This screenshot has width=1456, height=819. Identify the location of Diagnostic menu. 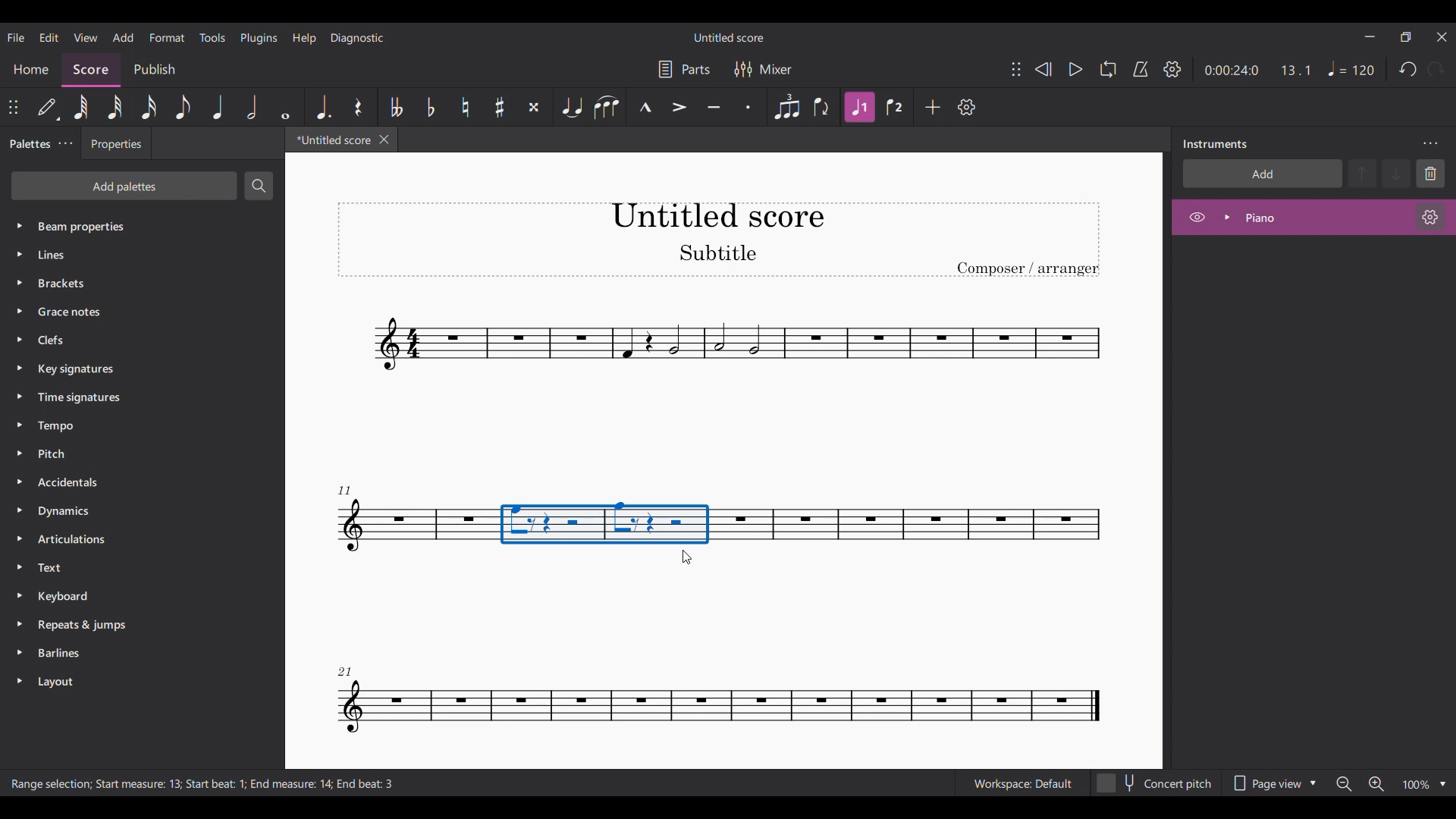
(357, 37).